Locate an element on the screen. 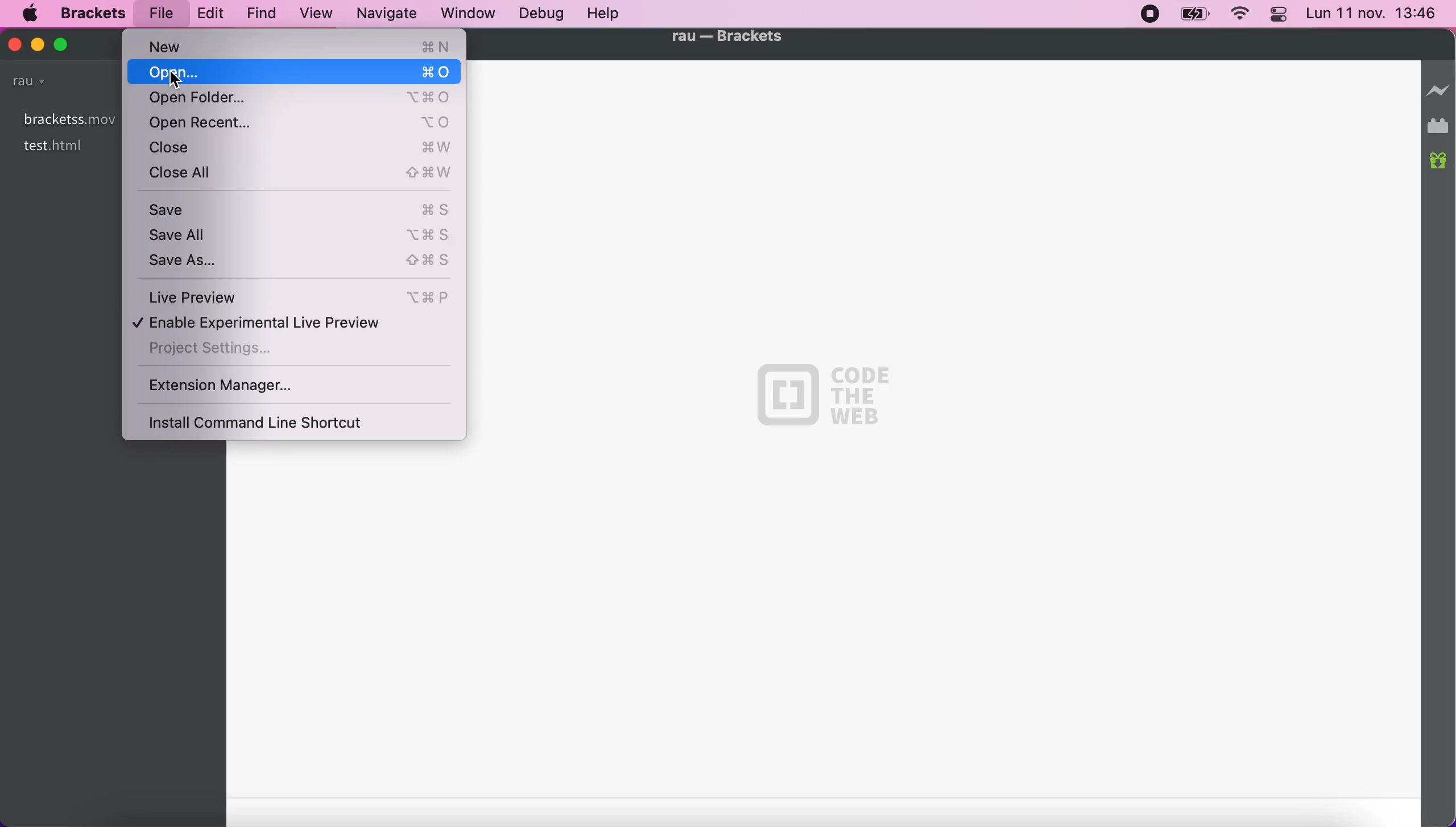  bracketss.mov is located at coordinates (65, 118).